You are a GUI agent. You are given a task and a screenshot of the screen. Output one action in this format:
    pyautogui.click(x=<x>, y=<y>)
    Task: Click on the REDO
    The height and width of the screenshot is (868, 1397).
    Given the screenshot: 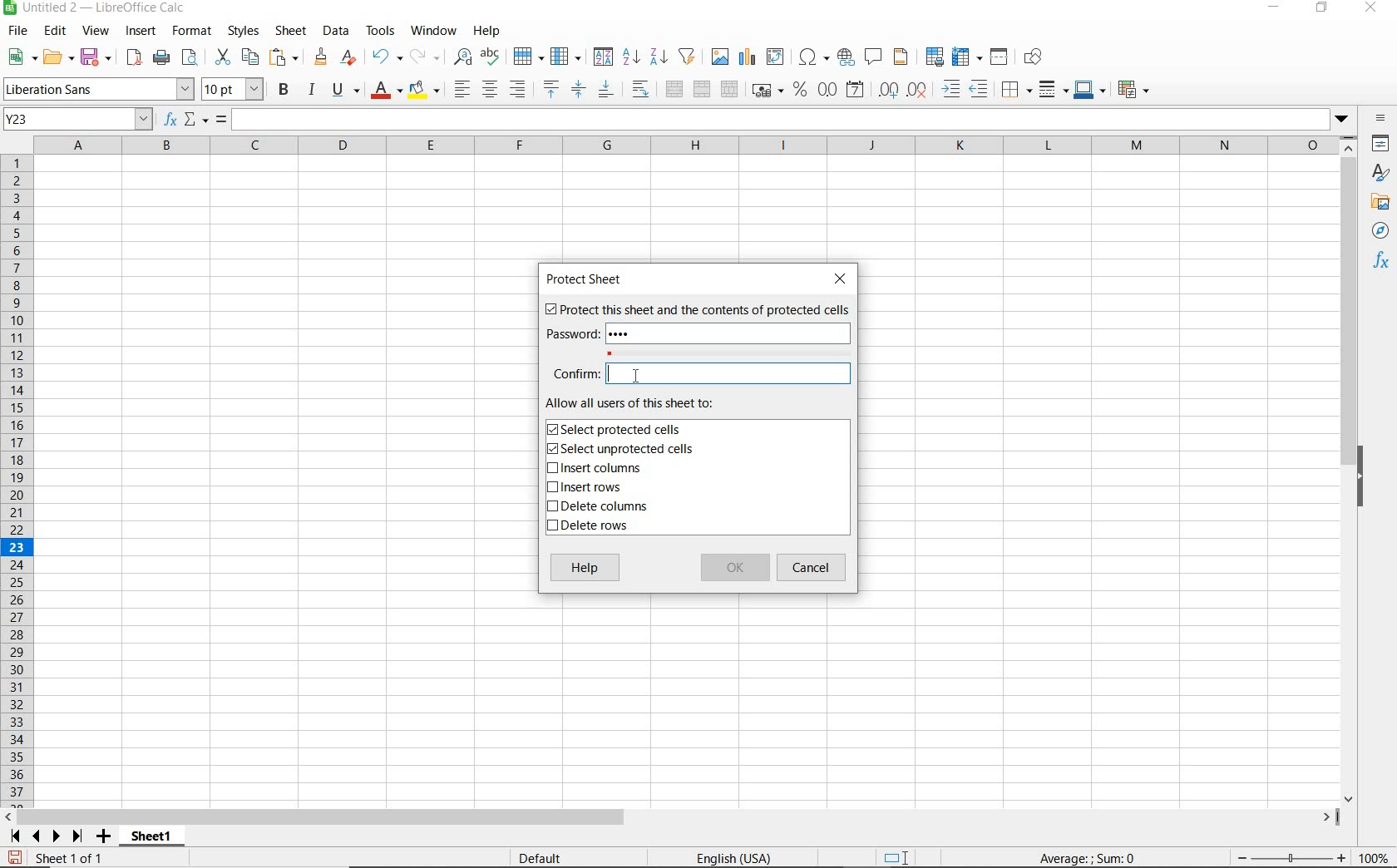 What is the action you would take?
    pyautogui.click(x=423, y=55)
    